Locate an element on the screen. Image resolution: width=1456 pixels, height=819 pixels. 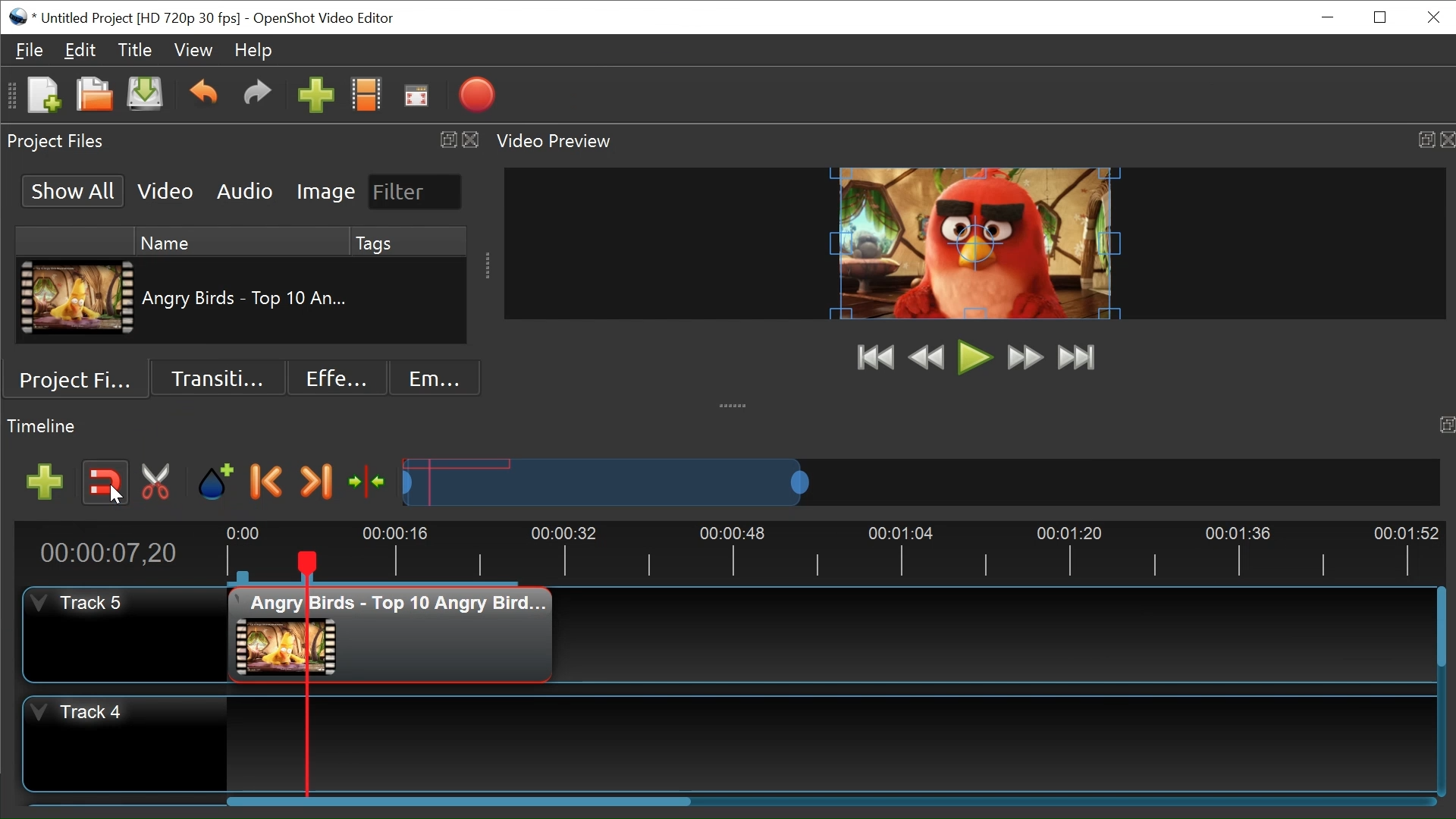
Current Position in Hours: Minutes: Seconds: Milliseconds  is located at coordinates (120, 551).